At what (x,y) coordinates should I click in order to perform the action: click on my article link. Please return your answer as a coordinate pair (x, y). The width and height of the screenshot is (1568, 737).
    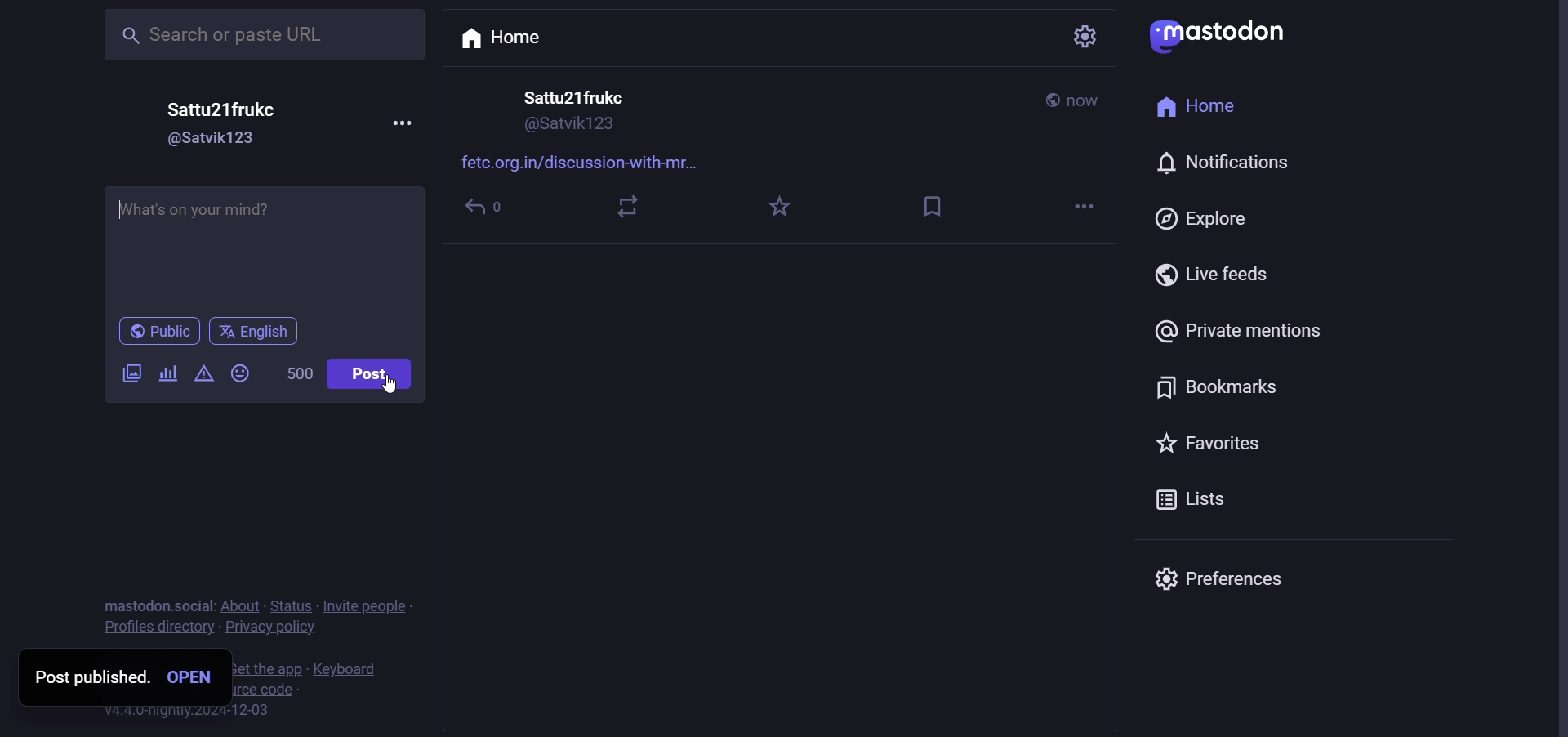
    Looking at the image, I should click on (264, 248).